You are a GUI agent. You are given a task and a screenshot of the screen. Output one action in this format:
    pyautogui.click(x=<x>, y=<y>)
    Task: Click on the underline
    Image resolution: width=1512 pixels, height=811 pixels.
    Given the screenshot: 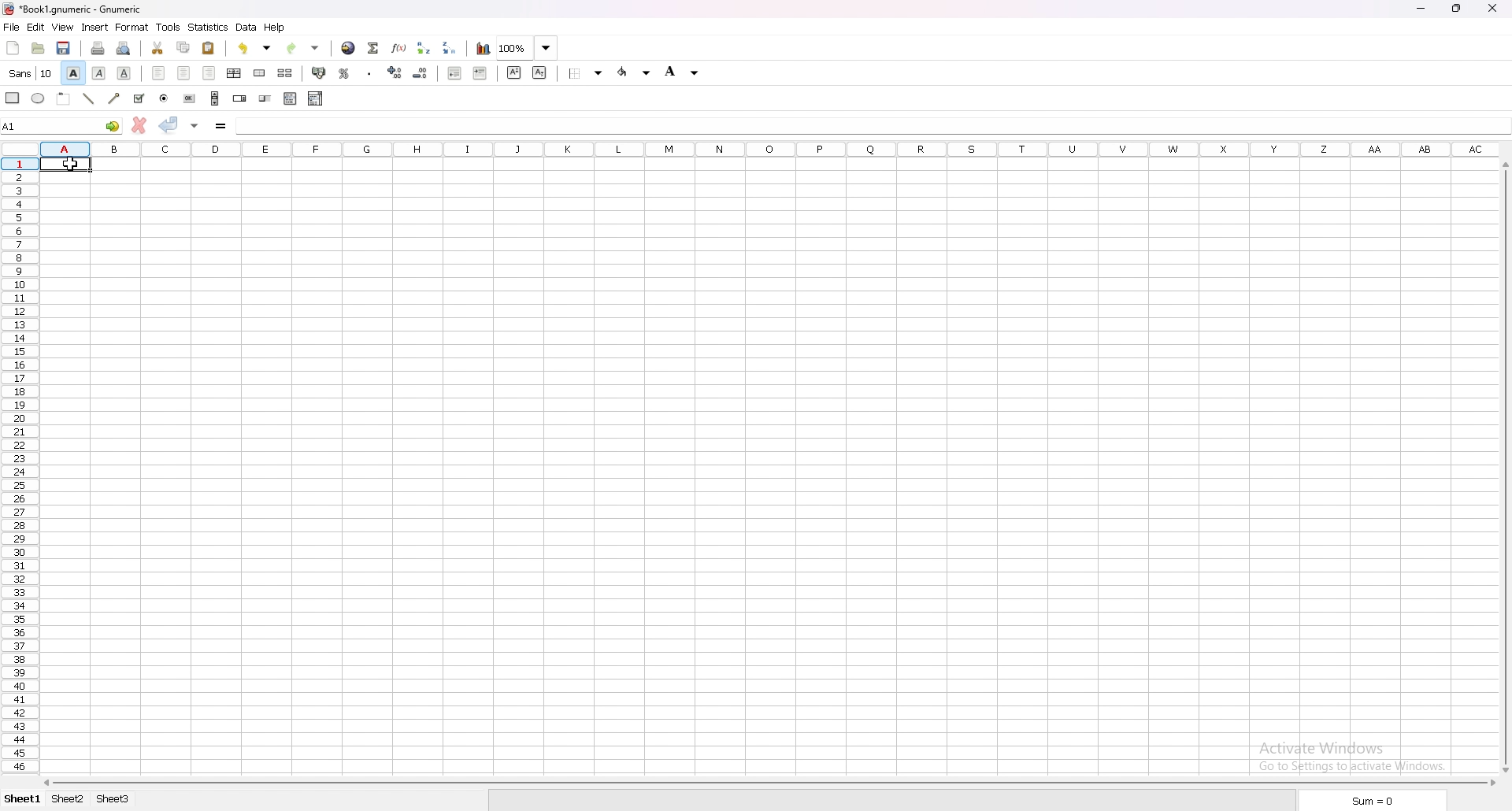 What is the action you would take?
    pyautogui.click(x=124, y=72)
    